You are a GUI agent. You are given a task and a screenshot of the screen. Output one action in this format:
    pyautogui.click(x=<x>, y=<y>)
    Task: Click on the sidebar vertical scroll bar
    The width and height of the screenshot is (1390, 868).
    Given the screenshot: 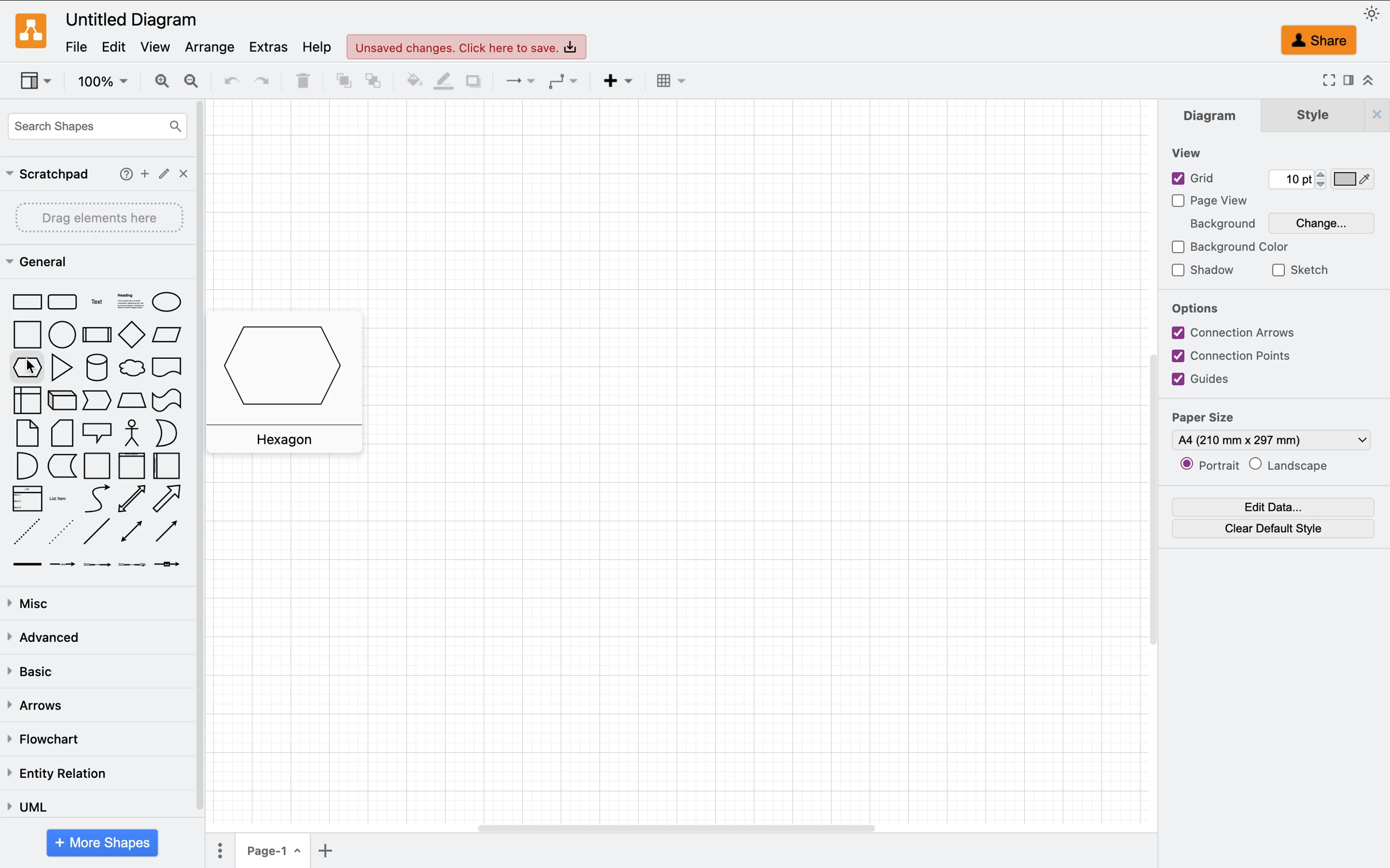 What is the action you would take?
    pyautogui.click(x=204, y=456)
    